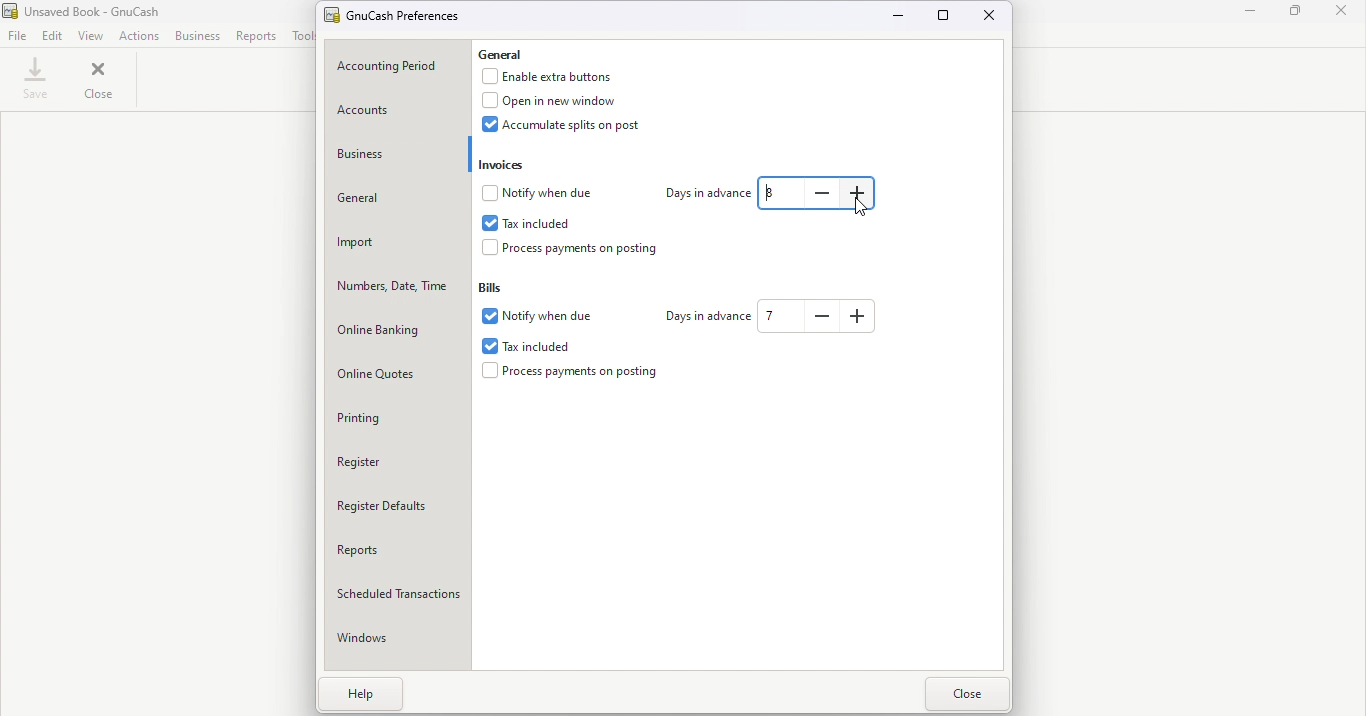  I want to click on Register, so click(401, 463).